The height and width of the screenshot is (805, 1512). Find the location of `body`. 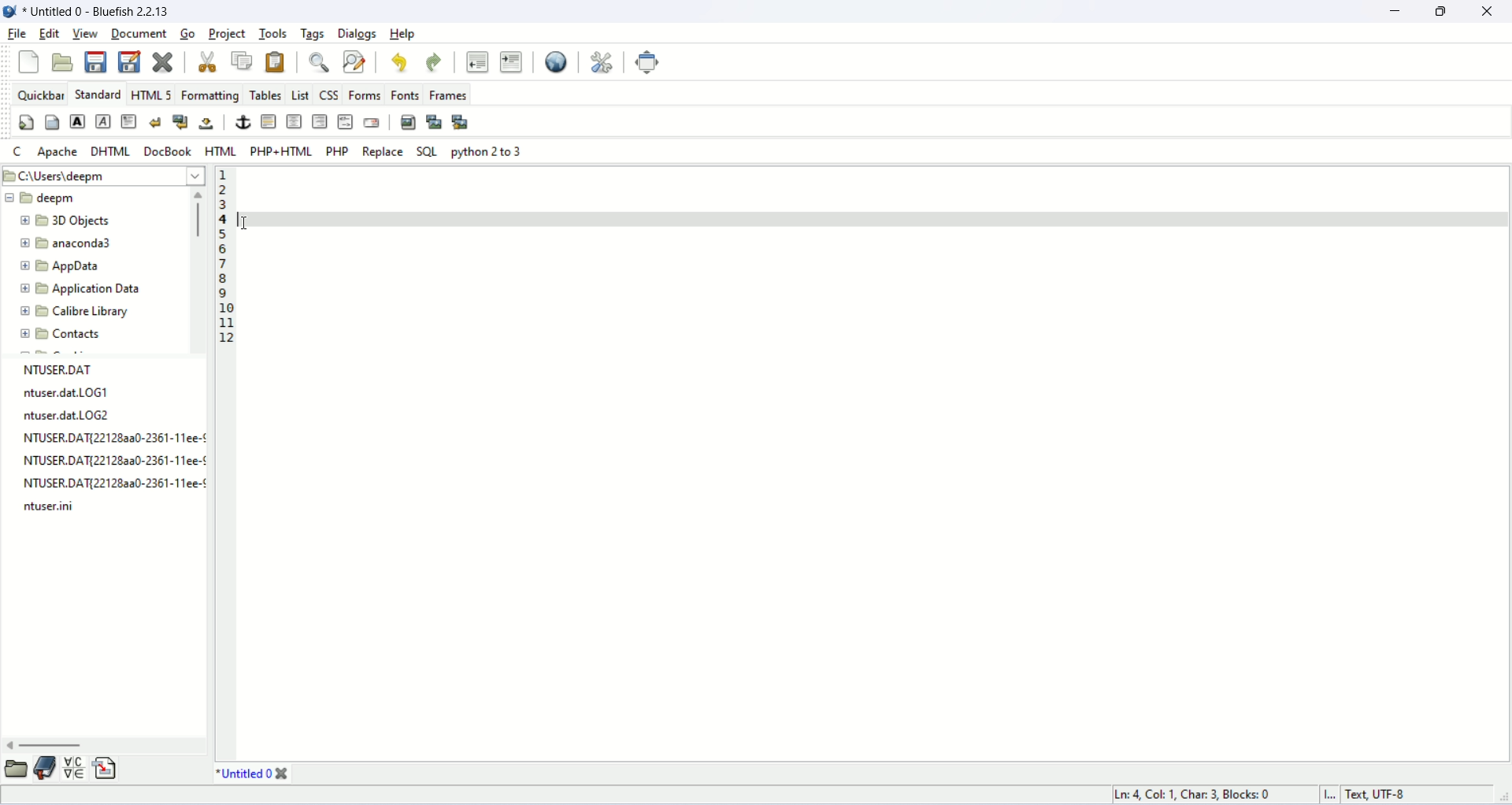

body is located at coordinates (51, 123).